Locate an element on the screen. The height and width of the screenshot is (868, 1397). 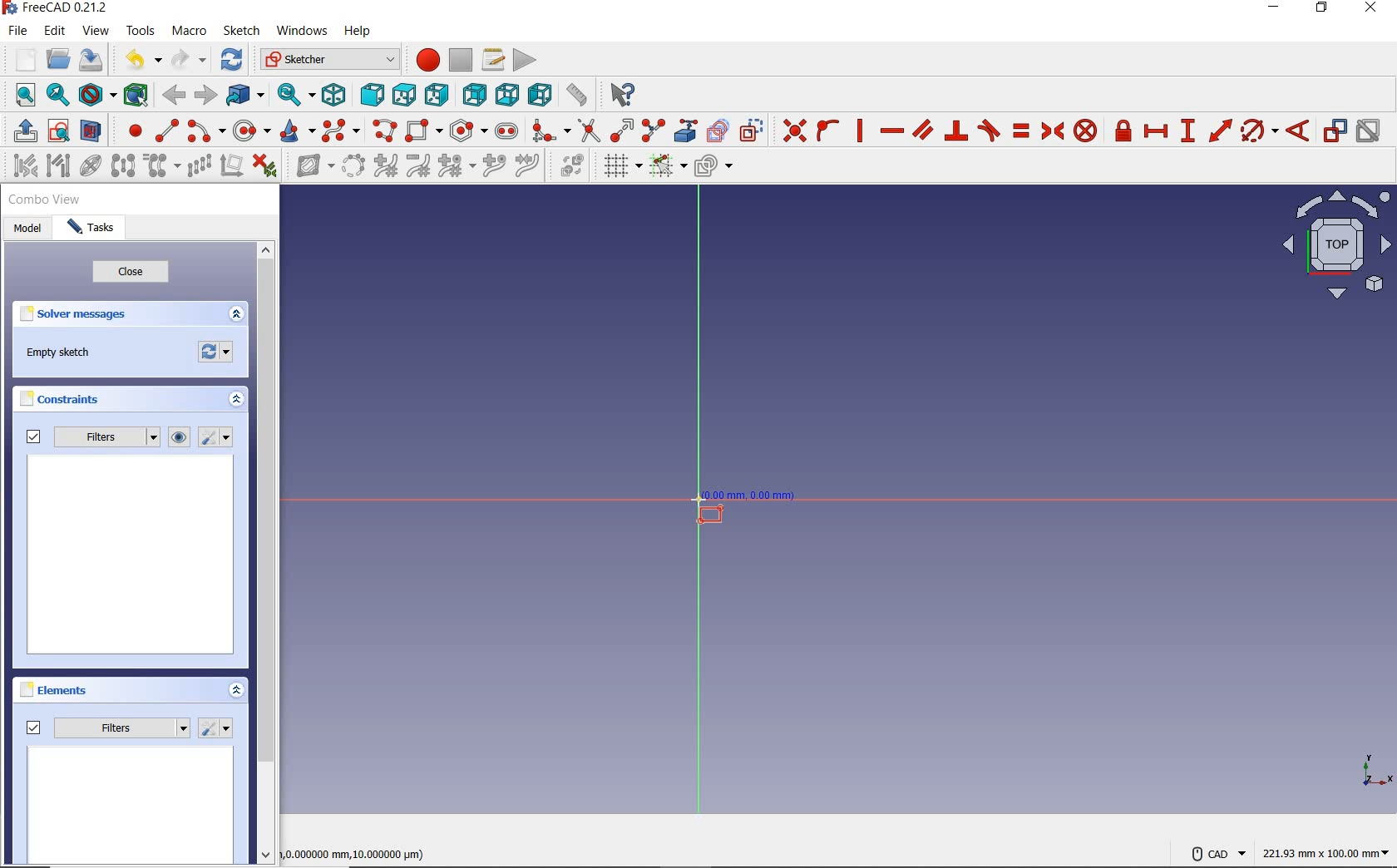
left is located at coordinates (540, 96).